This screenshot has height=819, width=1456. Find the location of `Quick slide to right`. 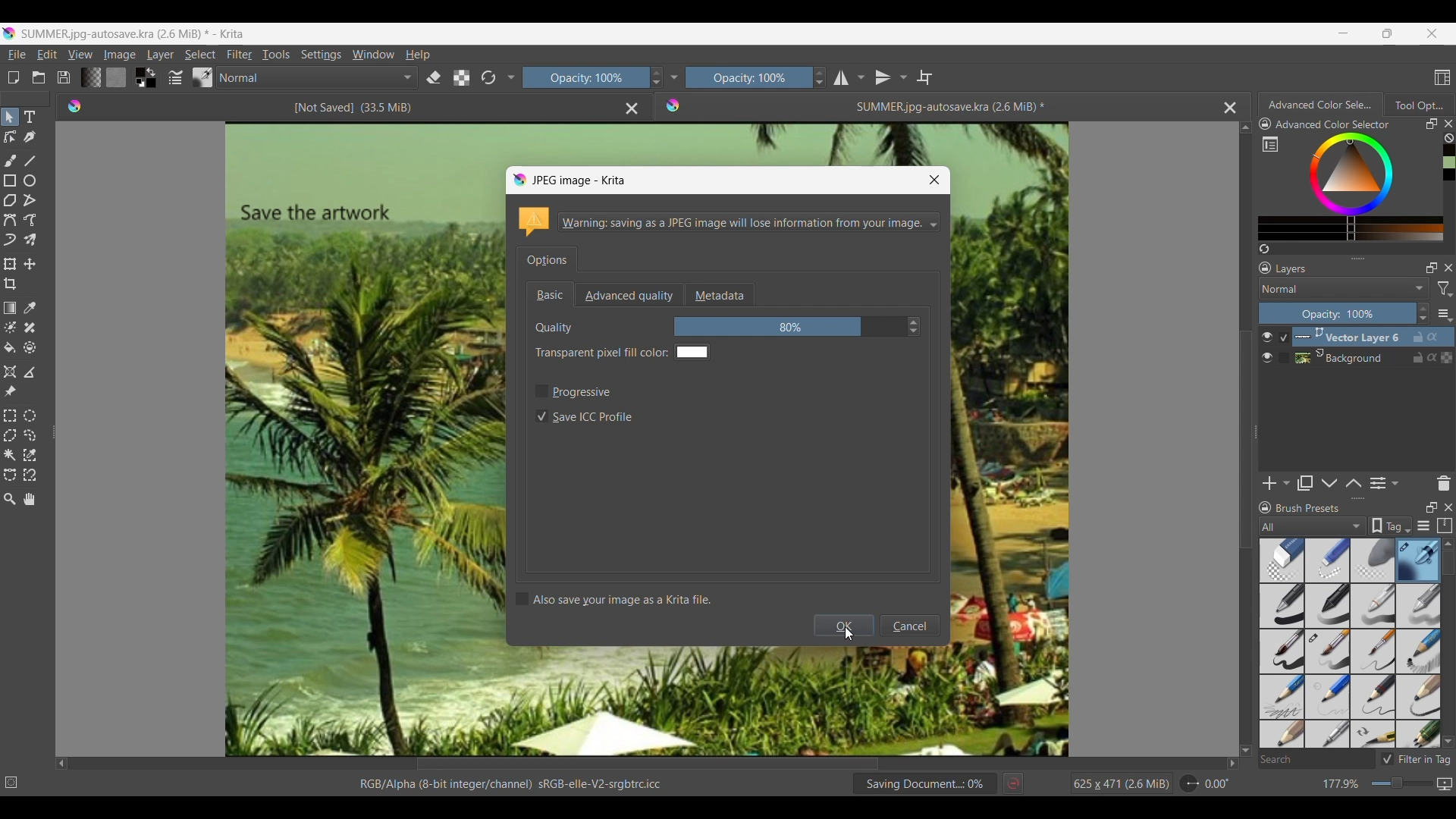

Quick slide to right is located at coordinates (1232, 764).